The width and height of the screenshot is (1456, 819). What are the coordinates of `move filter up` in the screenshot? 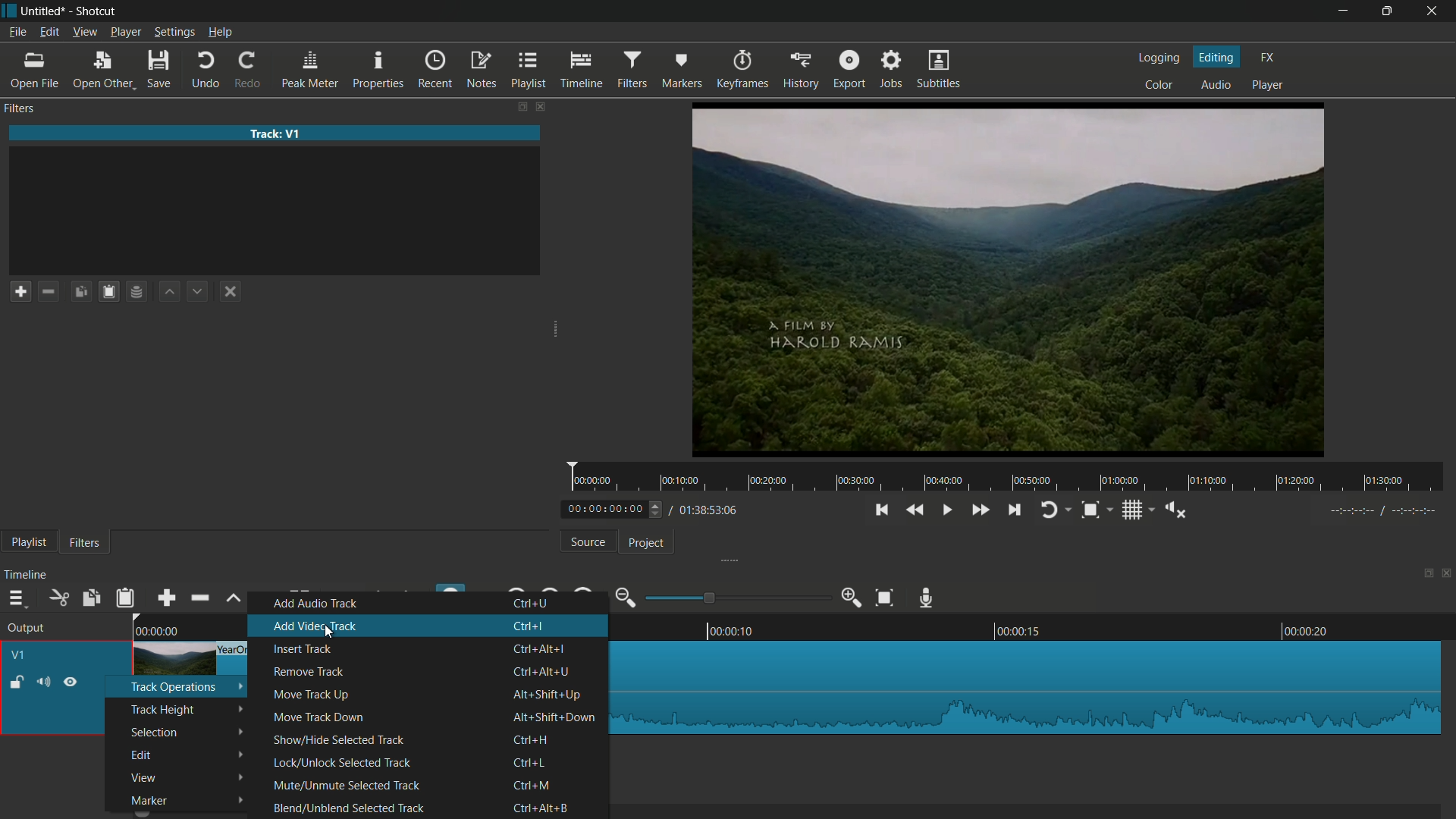 It's located at (169, 293).